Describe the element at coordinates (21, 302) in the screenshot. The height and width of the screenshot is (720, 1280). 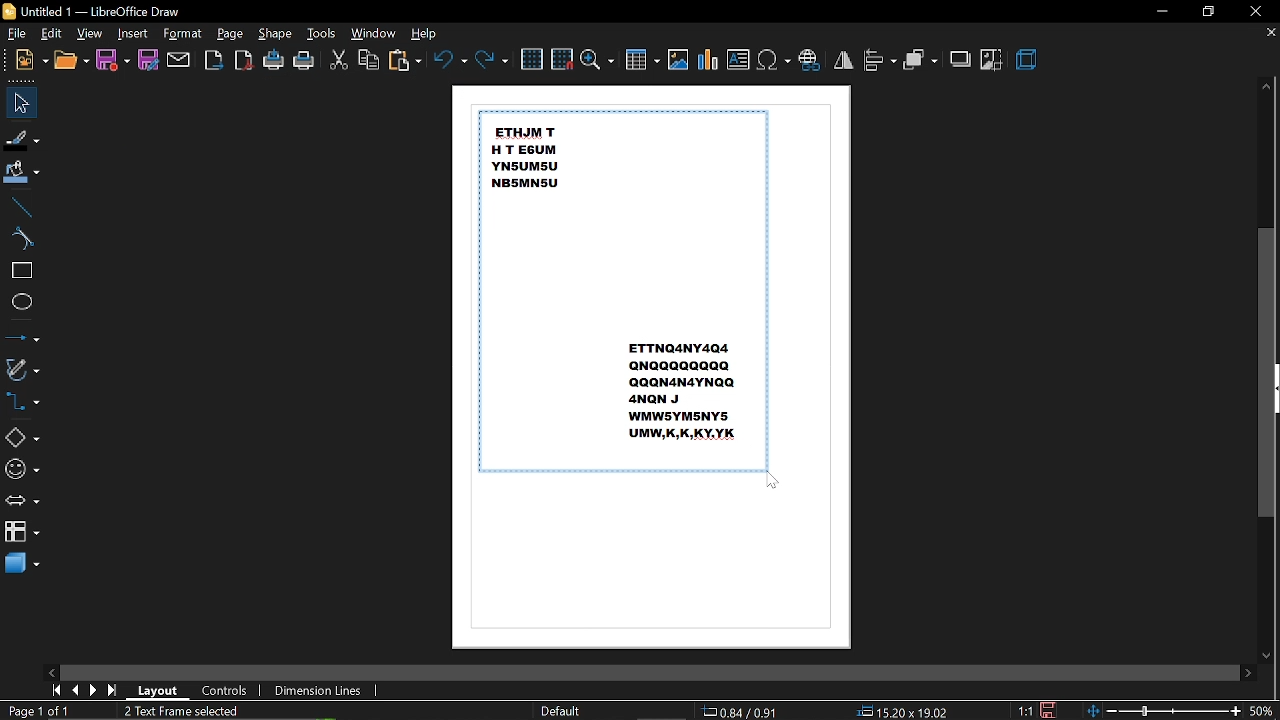
I see `ellipse` at that location.